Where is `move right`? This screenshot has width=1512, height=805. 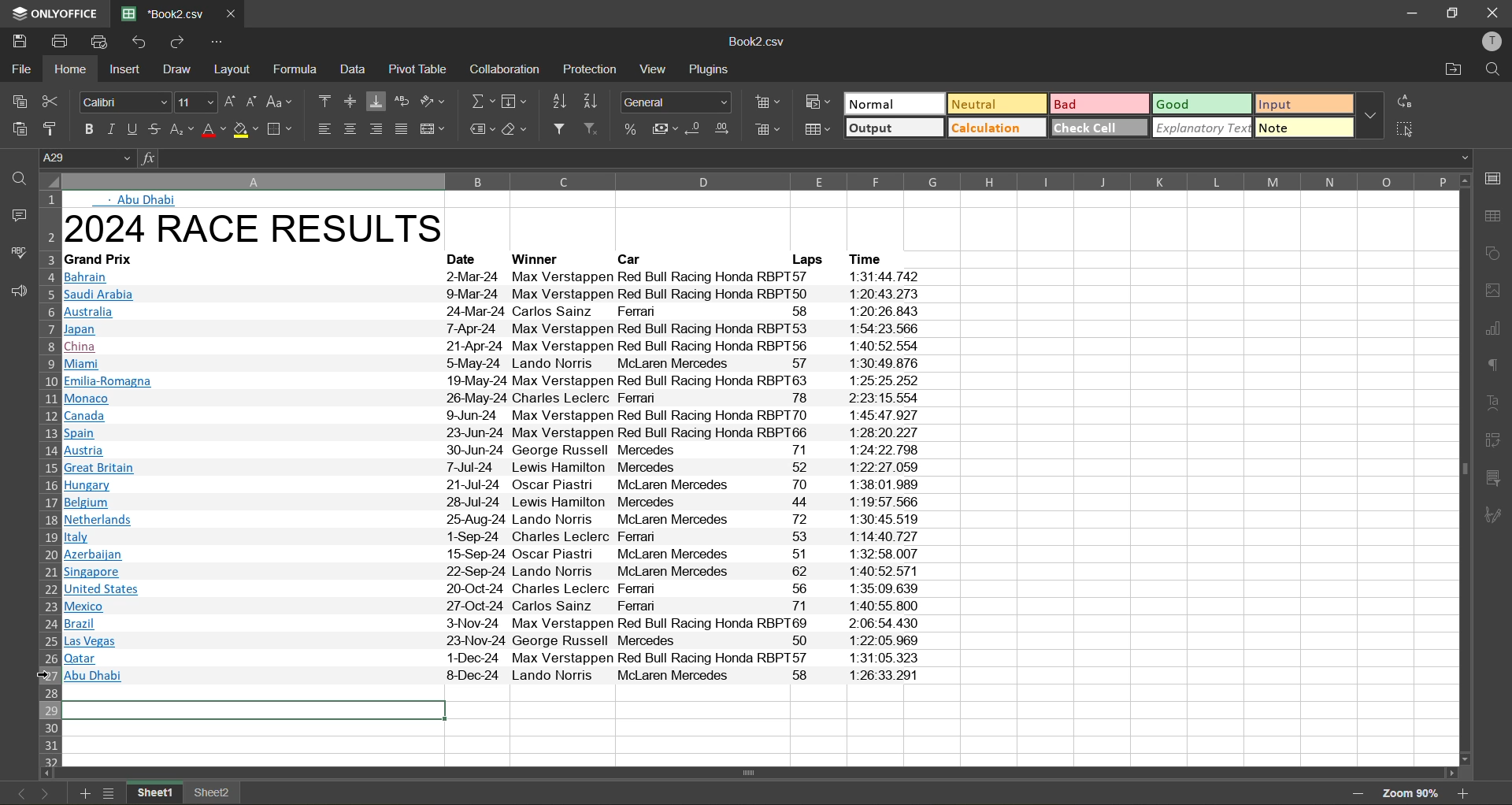 move right is located at coordinates (1450, 772).